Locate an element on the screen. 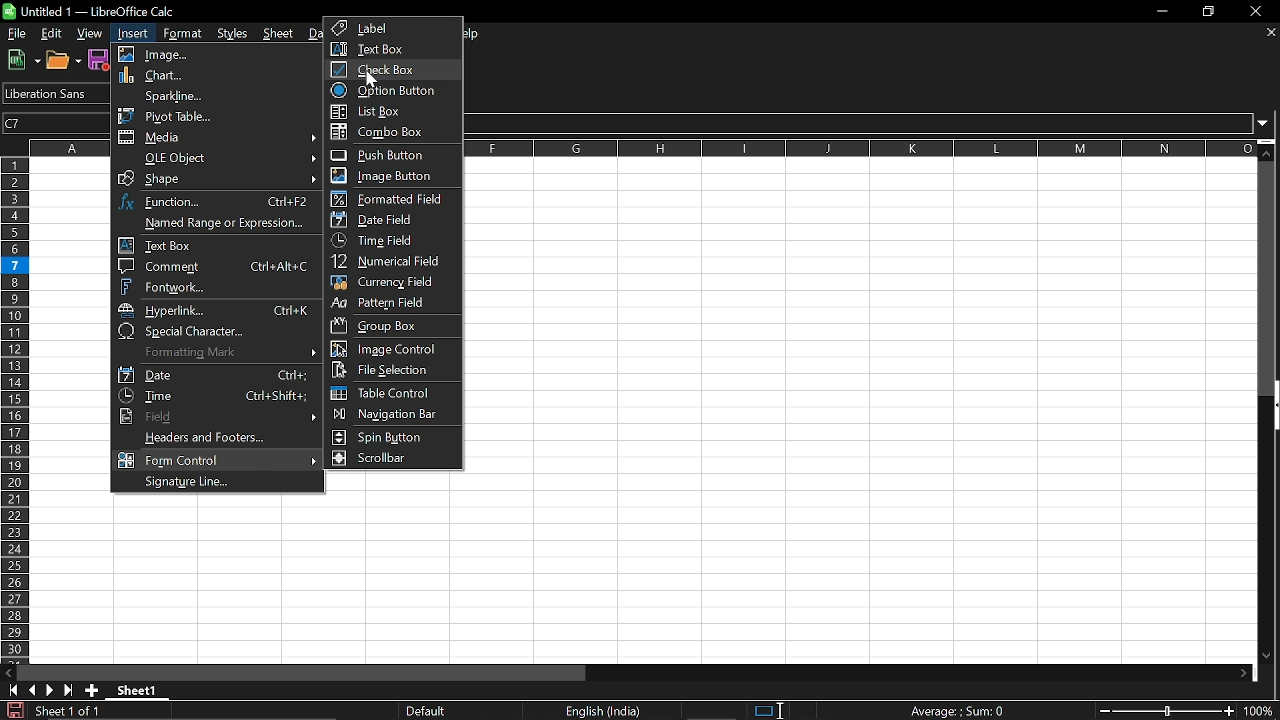 This screenshot has height=720, width=1280. Columns is located at coordinates (861, 148).